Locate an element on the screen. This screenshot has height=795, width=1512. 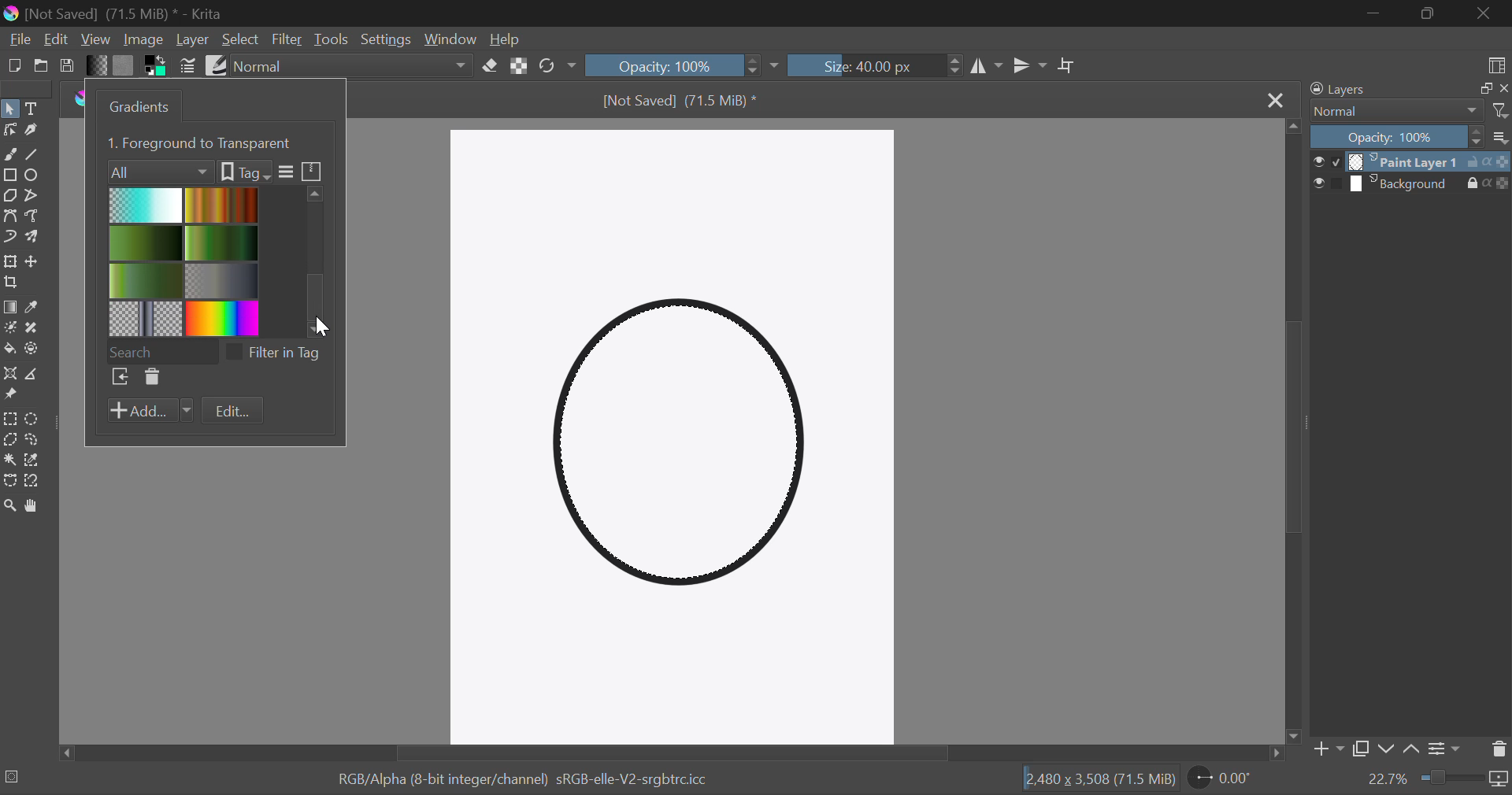
Select is located at coordinates (241, 42).